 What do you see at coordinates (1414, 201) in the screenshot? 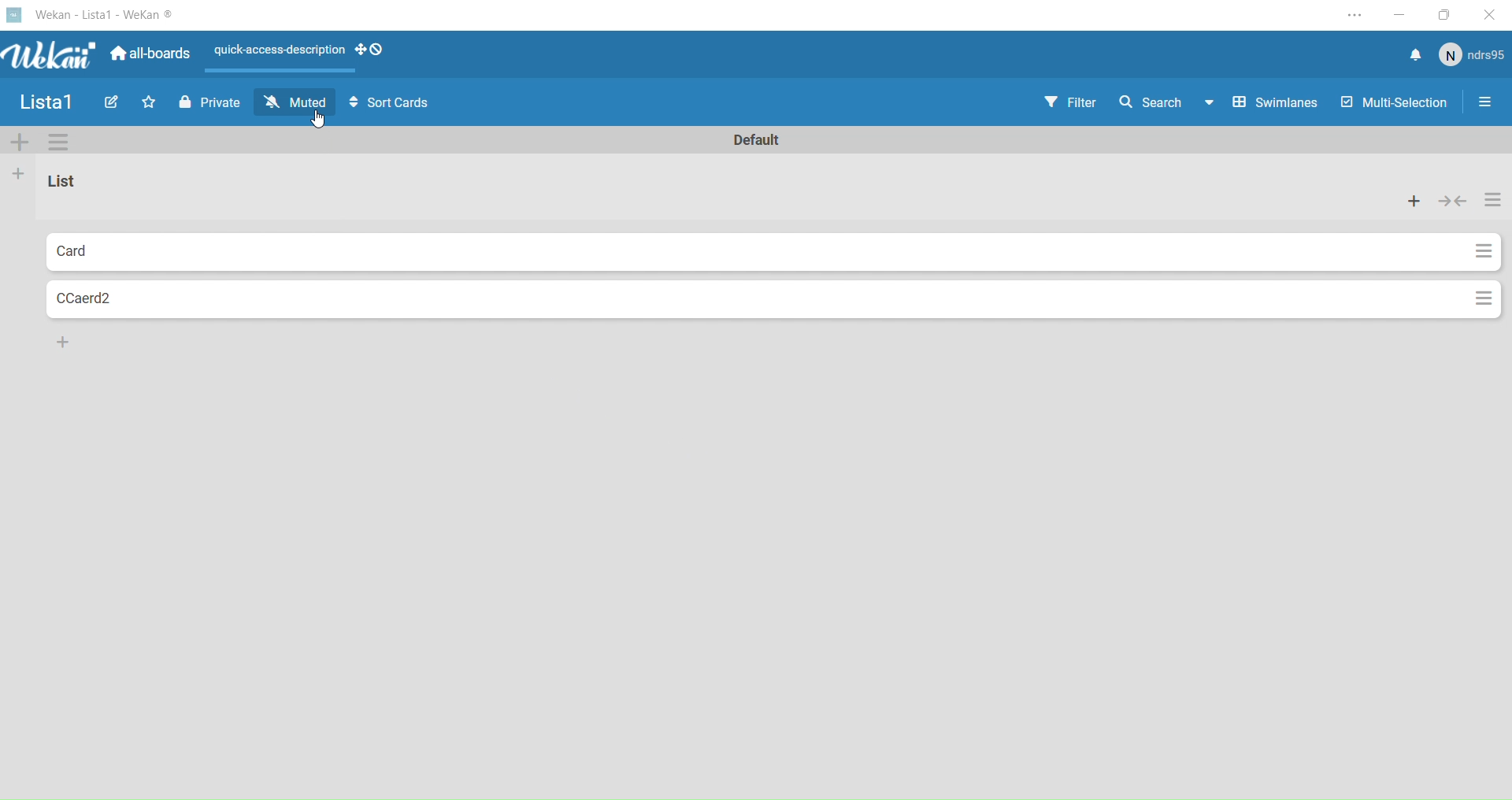
I see `Add` at bounding box center [1414, 201].